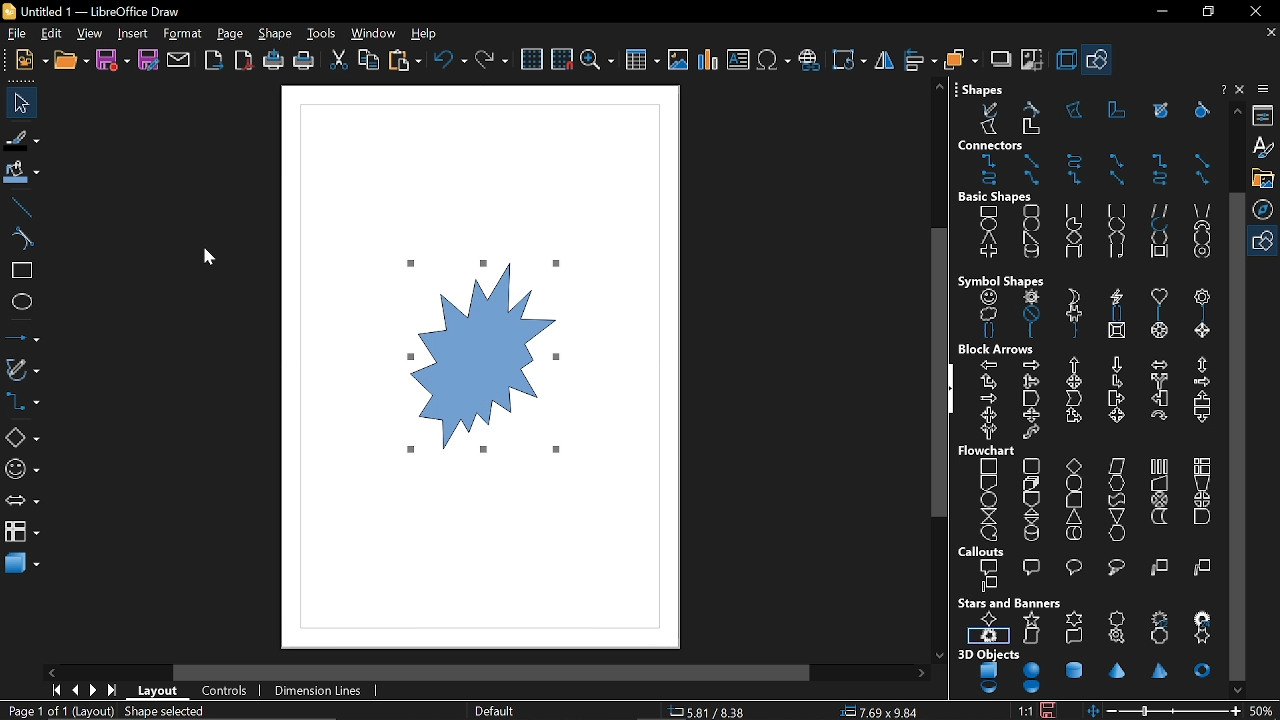  Describe the element at coordinates (707, 60) in the screenshot. I see `Insert chart` at that location.